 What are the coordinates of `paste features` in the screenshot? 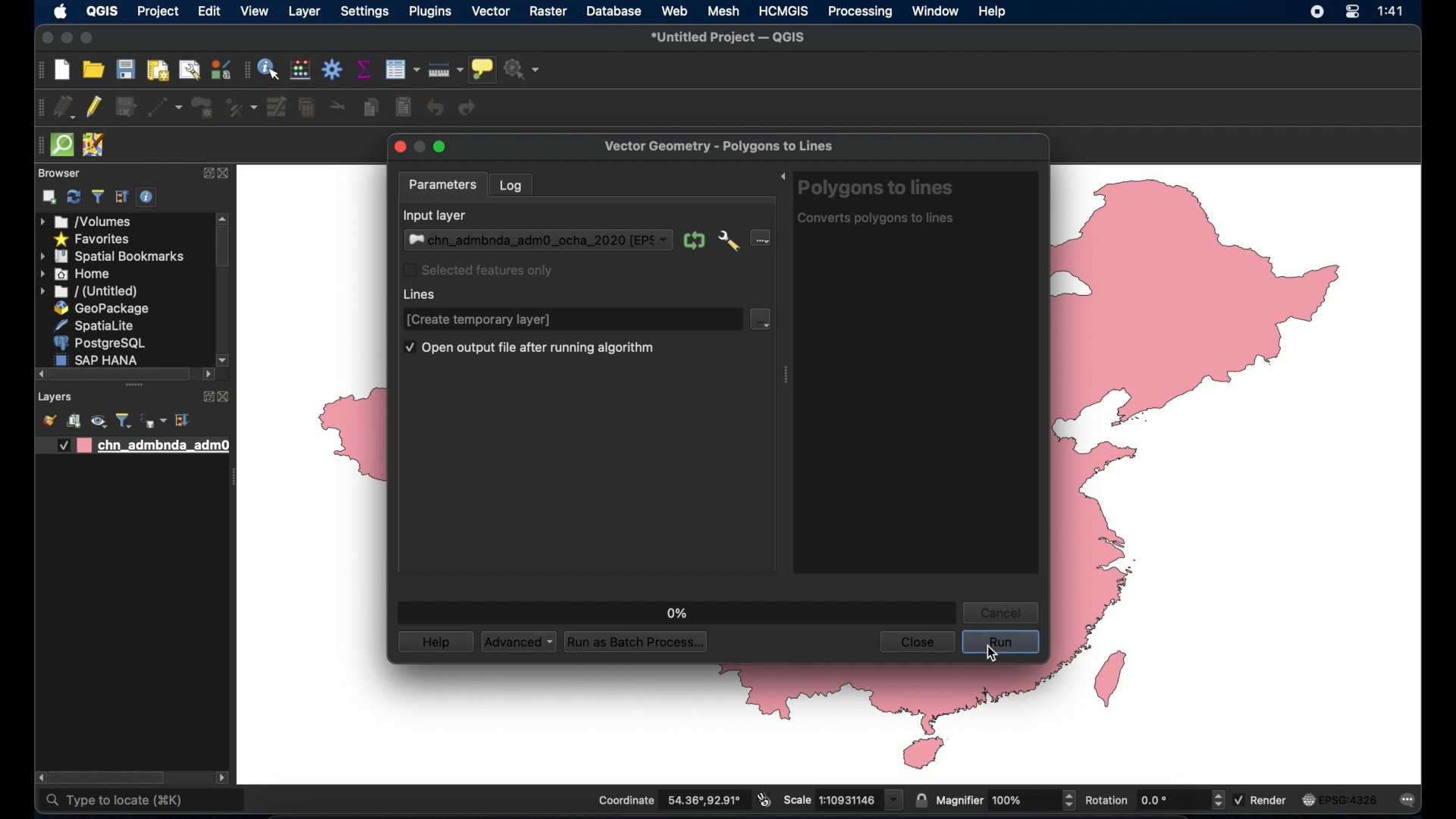 It's located at (405, 108).